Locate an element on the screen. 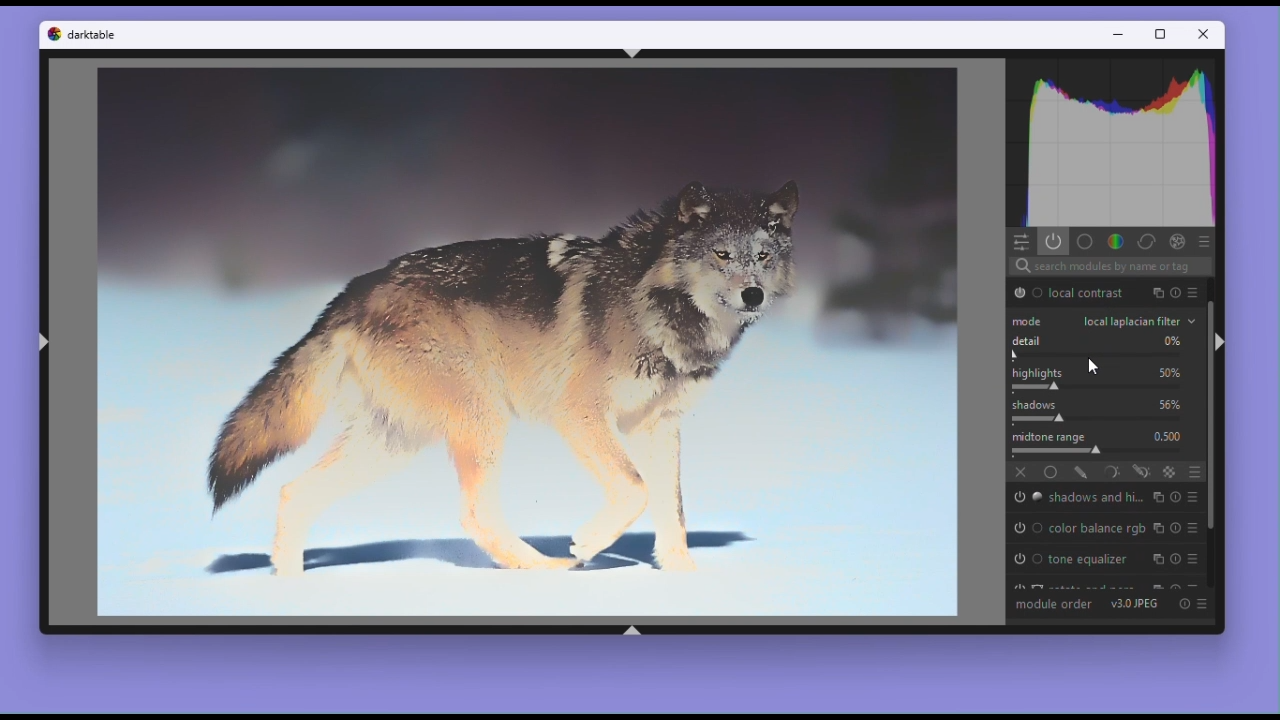  Shadows is located at coordinates (1106, 411).